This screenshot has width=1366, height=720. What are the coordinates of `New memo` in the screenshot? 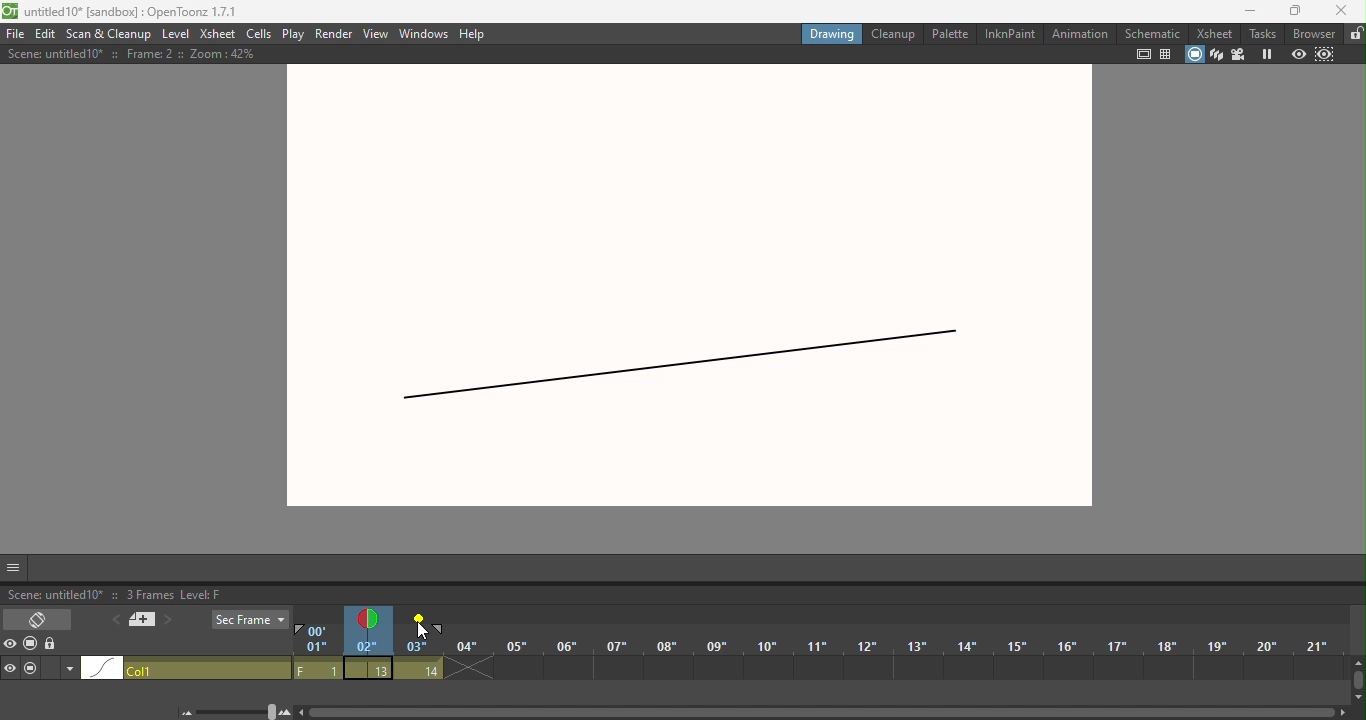 It's located at (140, 620).